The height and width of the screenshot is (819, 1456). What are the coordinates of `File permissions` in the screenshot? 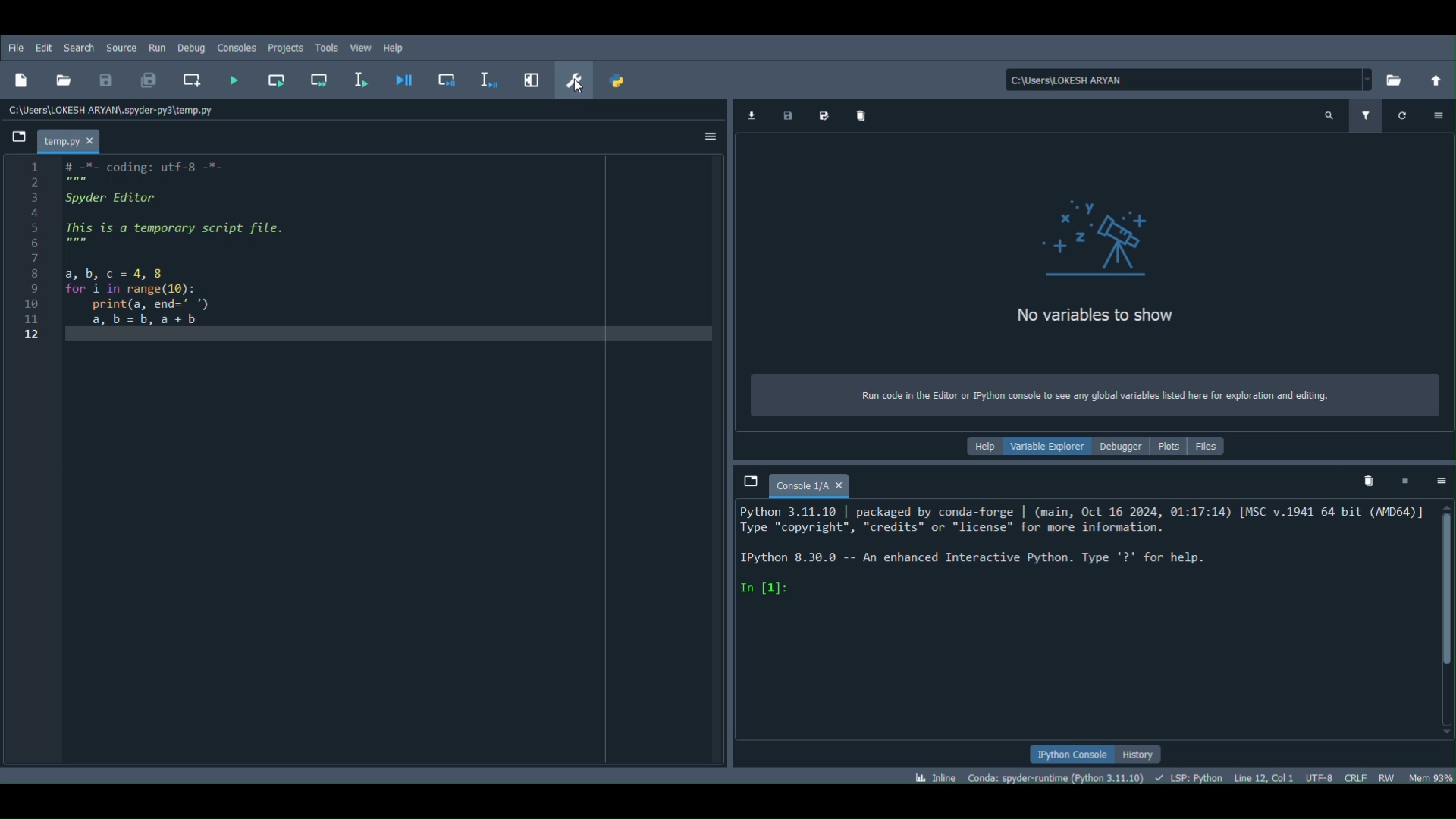 It's located at (1388, 777).